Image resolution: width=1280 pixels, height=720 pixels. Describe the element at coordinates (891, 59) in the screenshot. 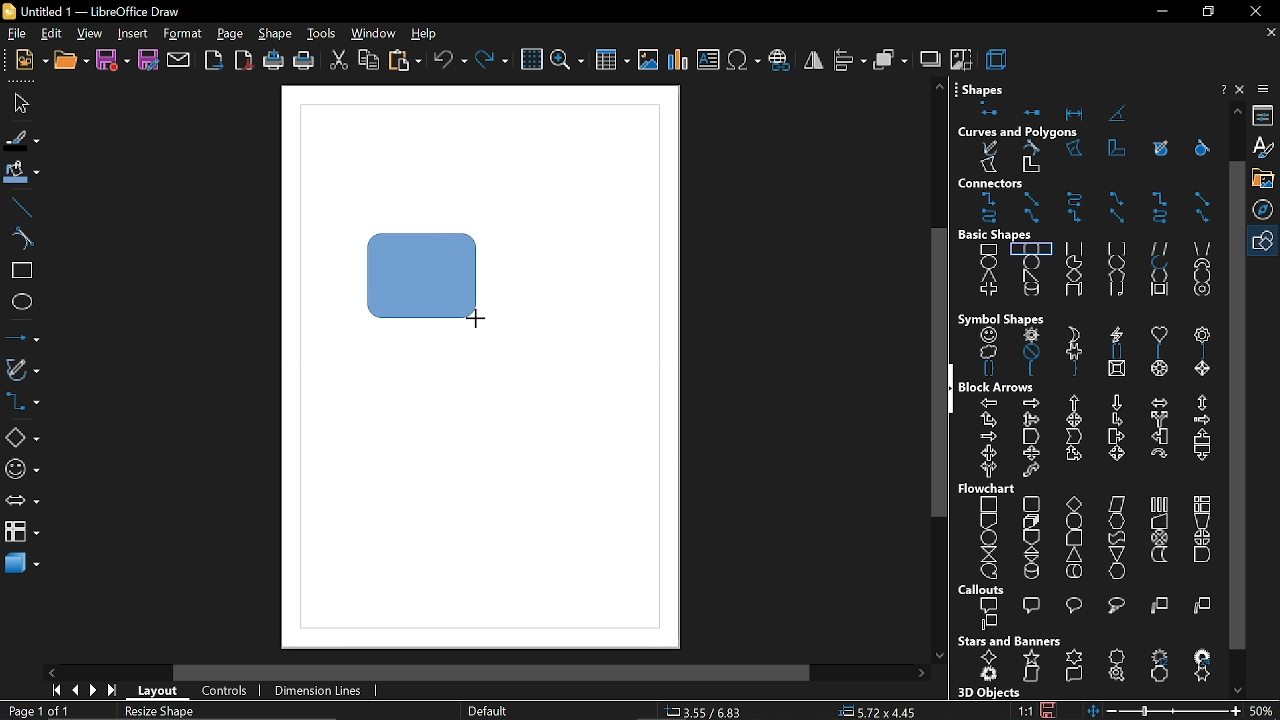

I see `arrange` at that location.